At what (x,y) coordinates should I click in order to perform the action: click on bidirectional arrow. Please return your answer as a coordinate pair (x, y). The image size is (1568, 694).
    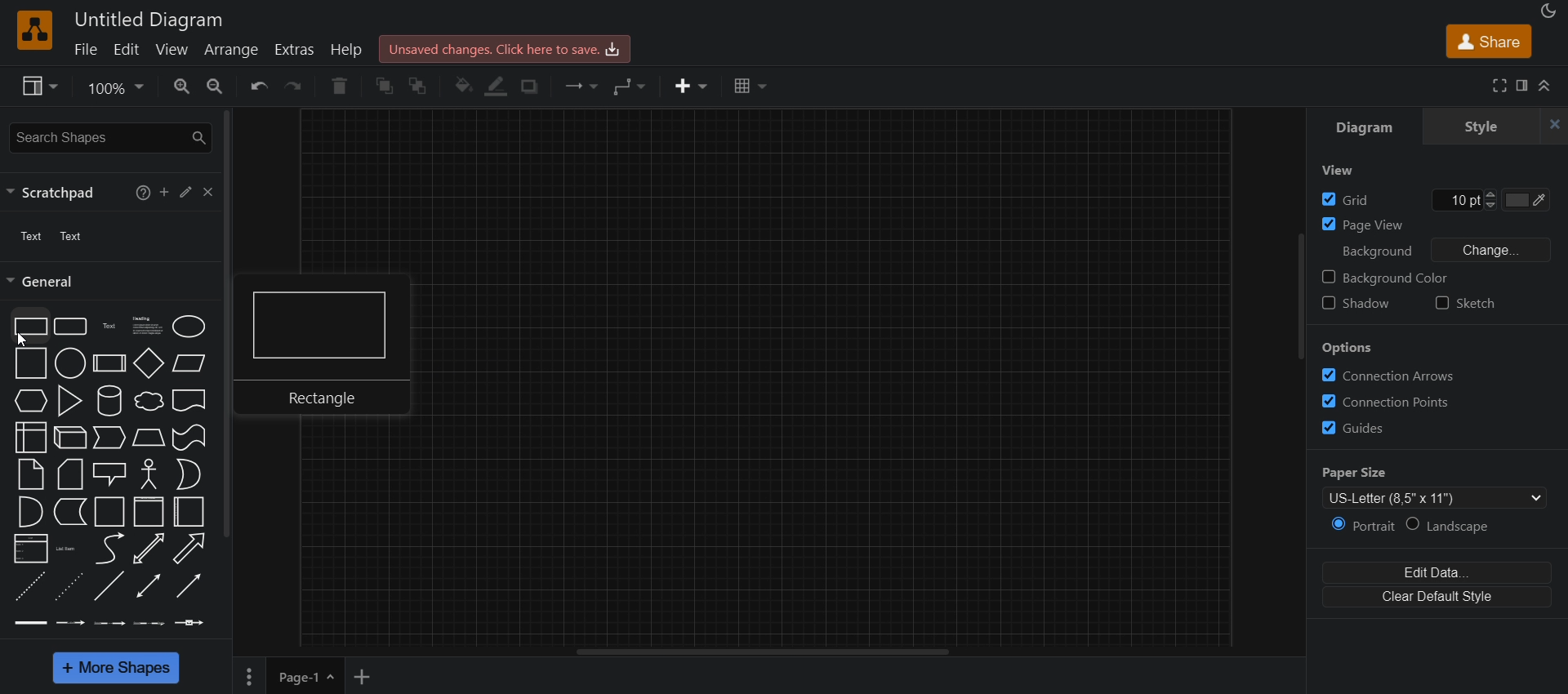
    Looking at the image, I should click on (150, 549).